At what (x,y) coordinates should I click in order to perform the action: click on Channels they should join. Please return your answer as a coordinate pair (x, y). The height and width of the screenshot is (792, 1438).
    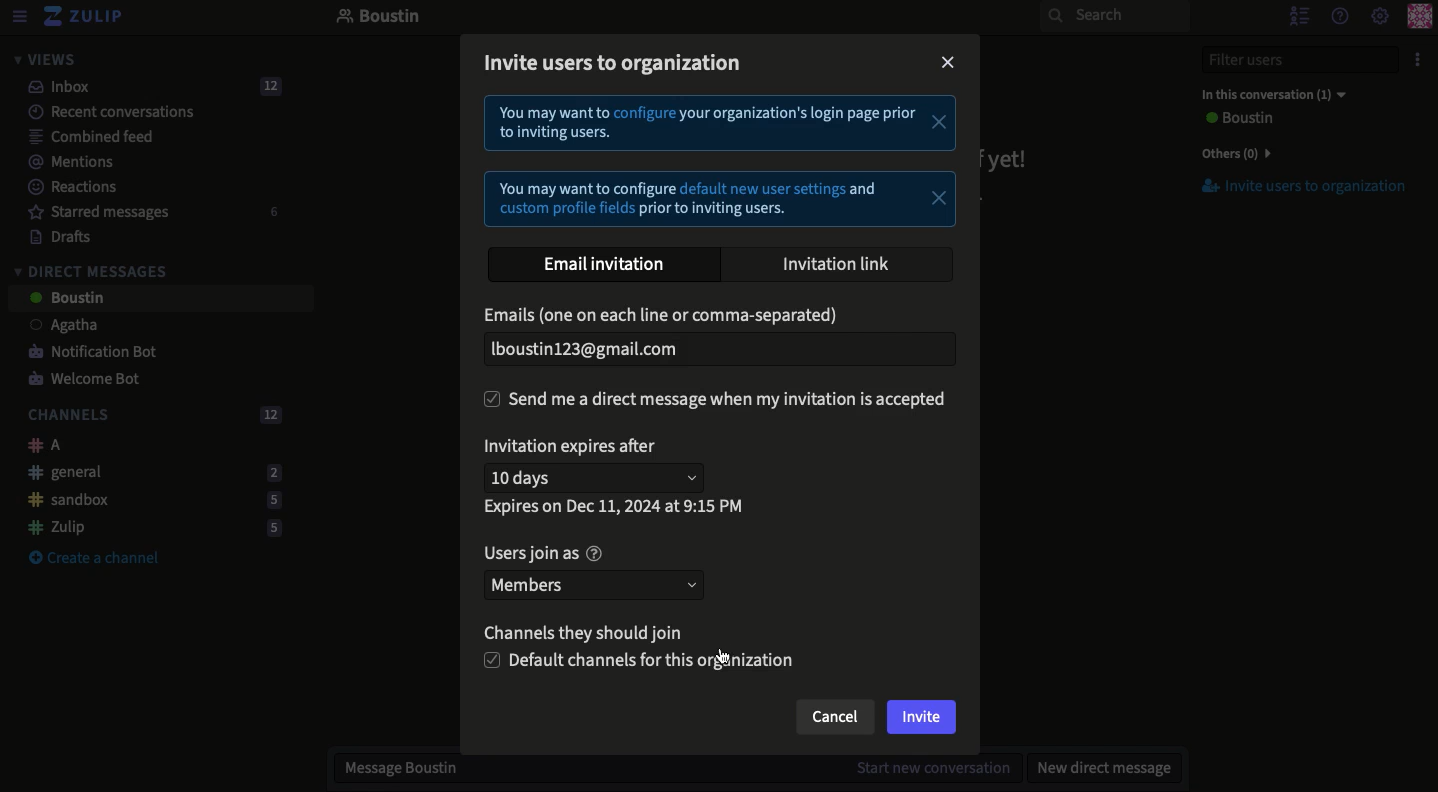
    Looking at the image, I should click on (596, 633).